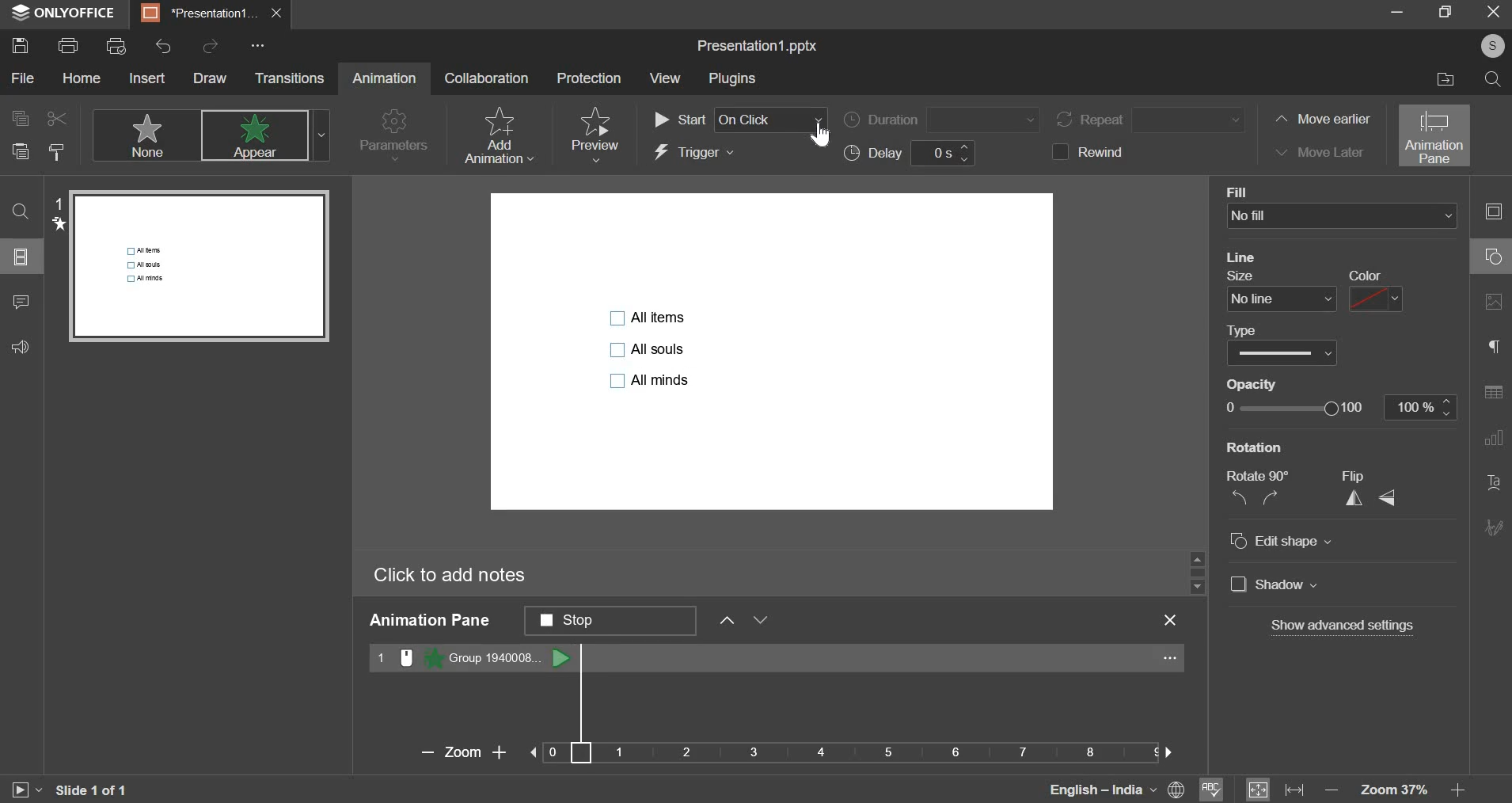  What do you see at coordinates (1493, 370) in the screenshot?
I see `right side bar` at bounding box center [1493, 370].